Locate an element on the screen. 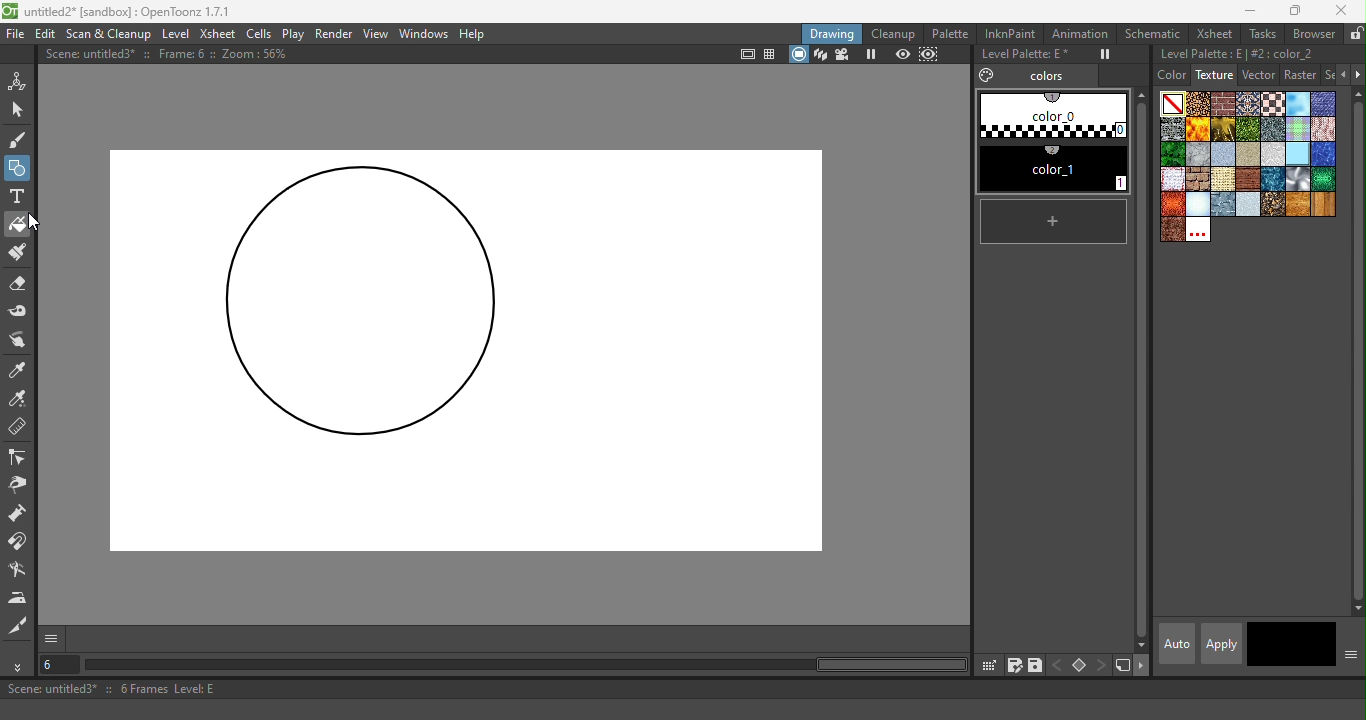 This screenshot has height=720, width=1366. Texture is located at coordinates (1213, 74).